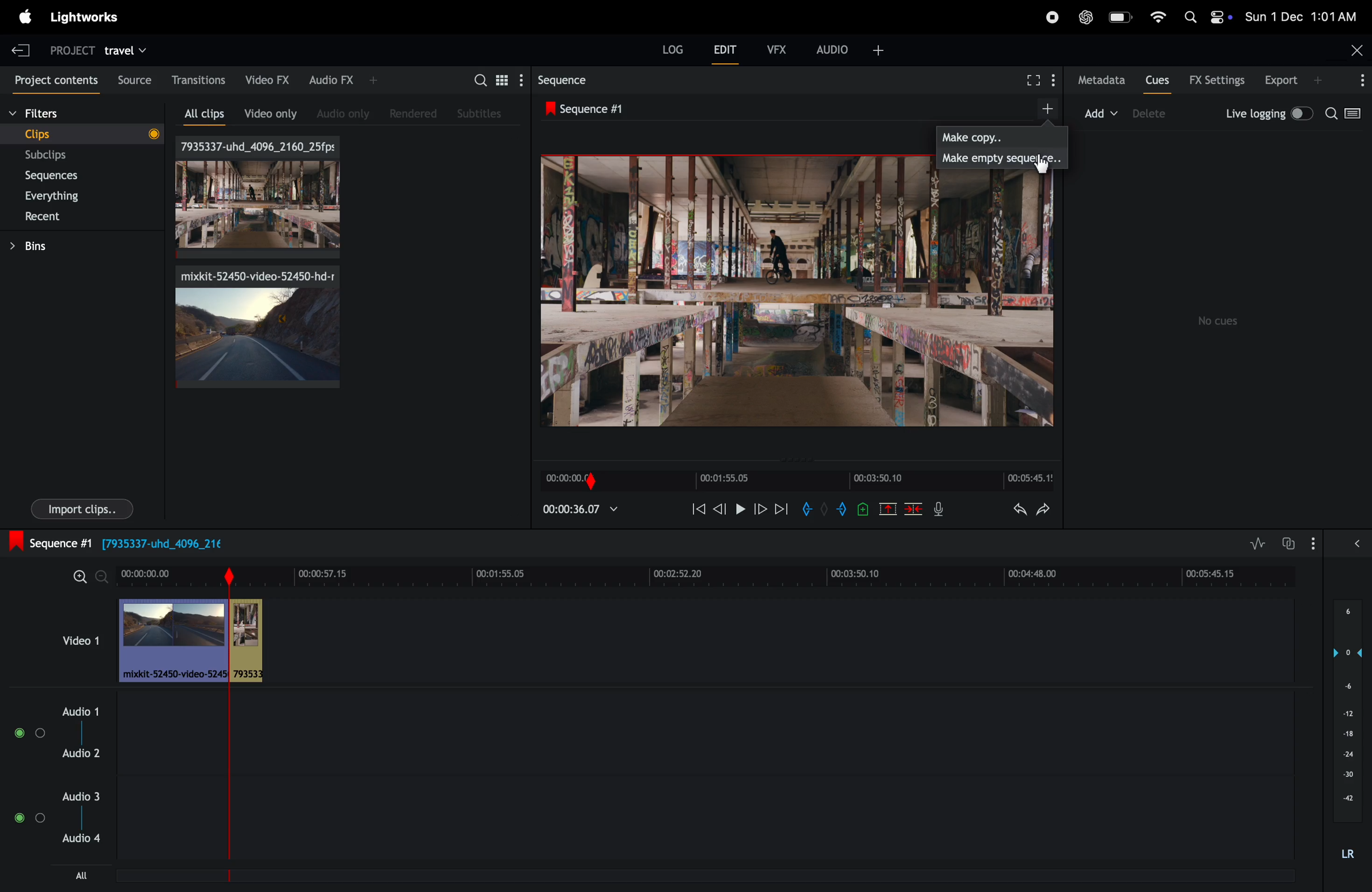 The width and height of the screenshot is (1372, 892). Describe the element at coordinates (1289, 542) in the screenshot. I see `toggle auto track sync` at that location.